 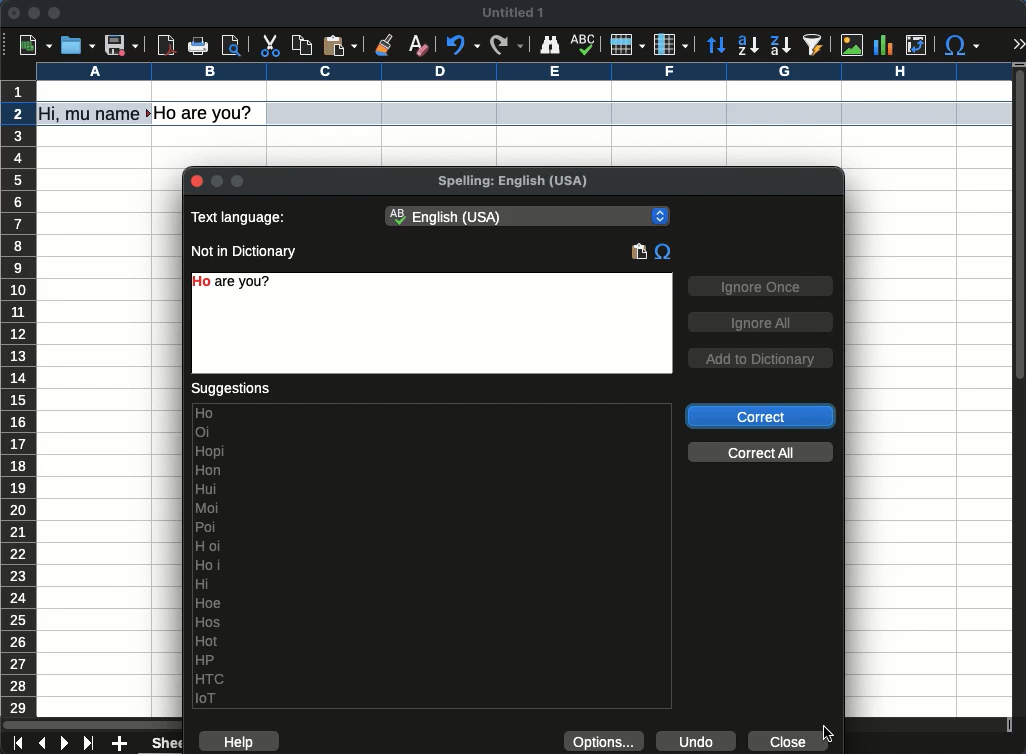 I want to click on special character, so click(x=962, y=46).